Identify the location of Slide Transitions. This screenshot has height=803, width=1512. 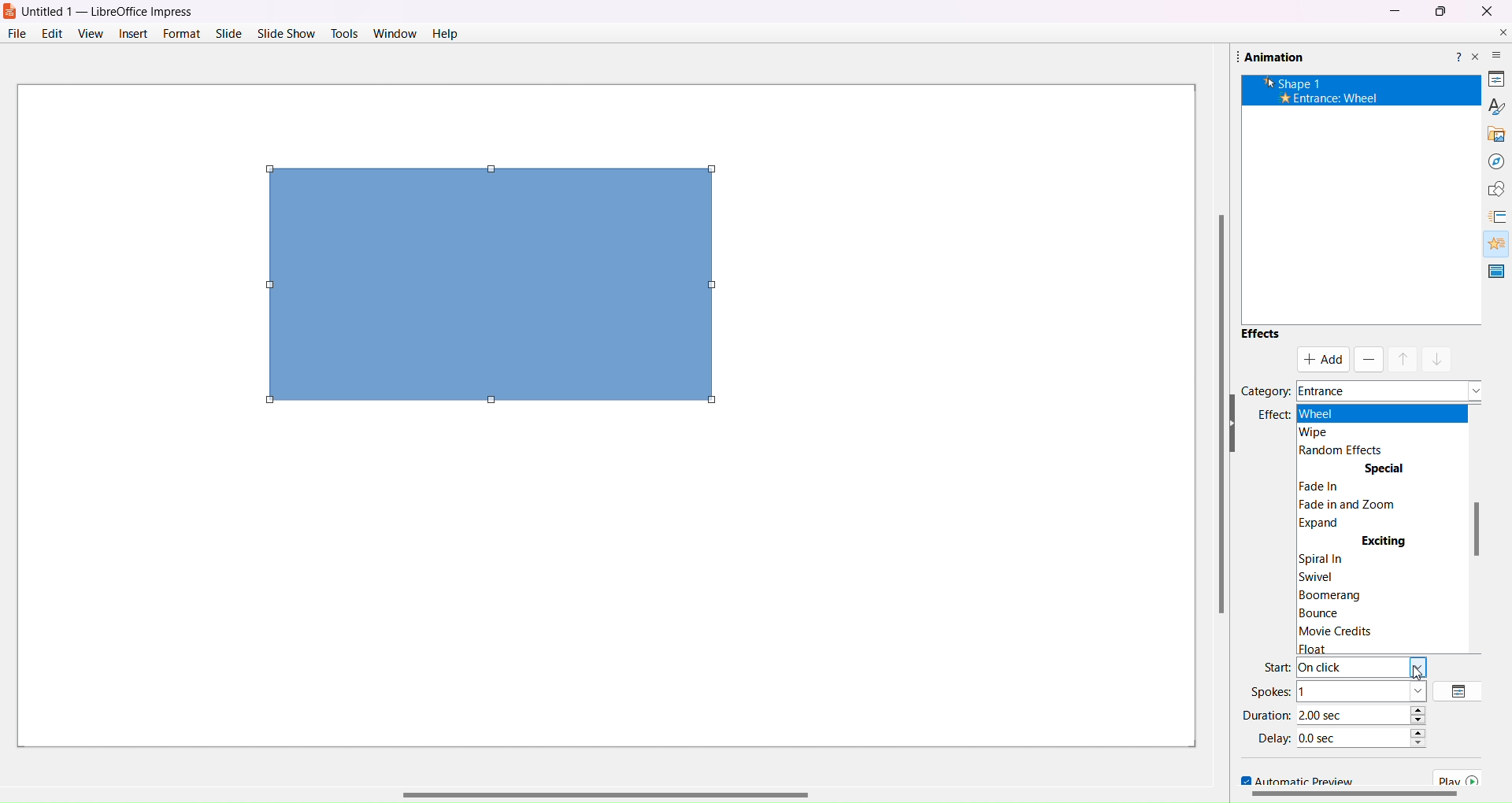
(1495, 217).